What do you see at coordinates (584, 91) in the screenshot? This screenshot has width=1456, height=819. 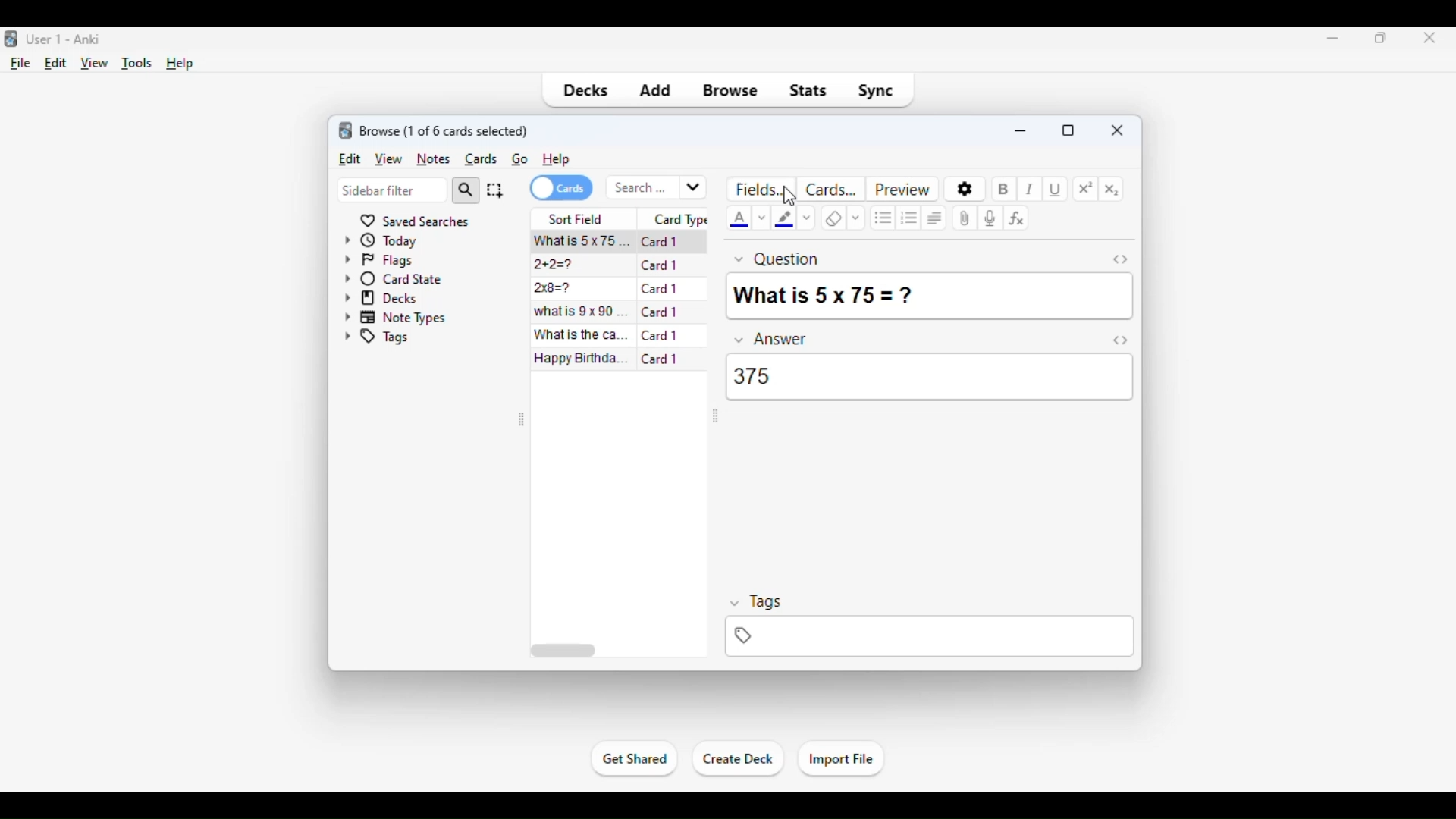 I see `decks` at bounding box center [584, 91].